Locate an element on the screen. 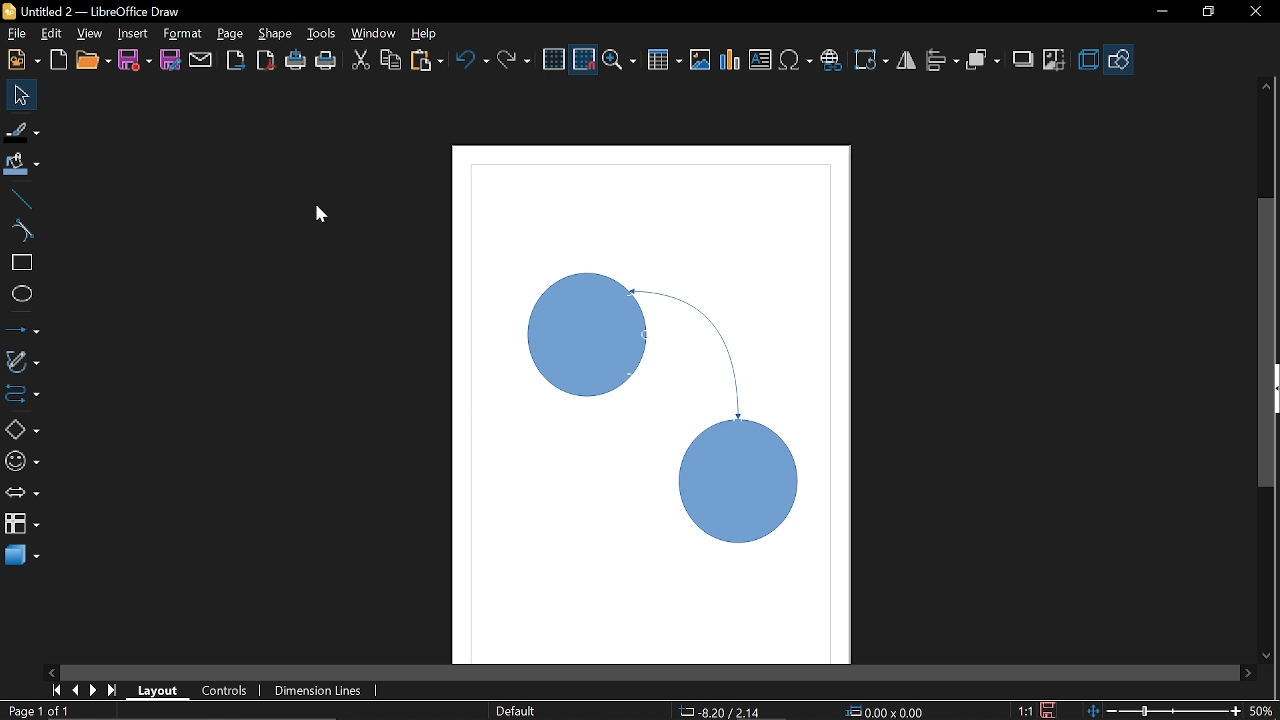 The height and width of the screenshot is (720, 1280). Grid is located at coordinates (554, 60).